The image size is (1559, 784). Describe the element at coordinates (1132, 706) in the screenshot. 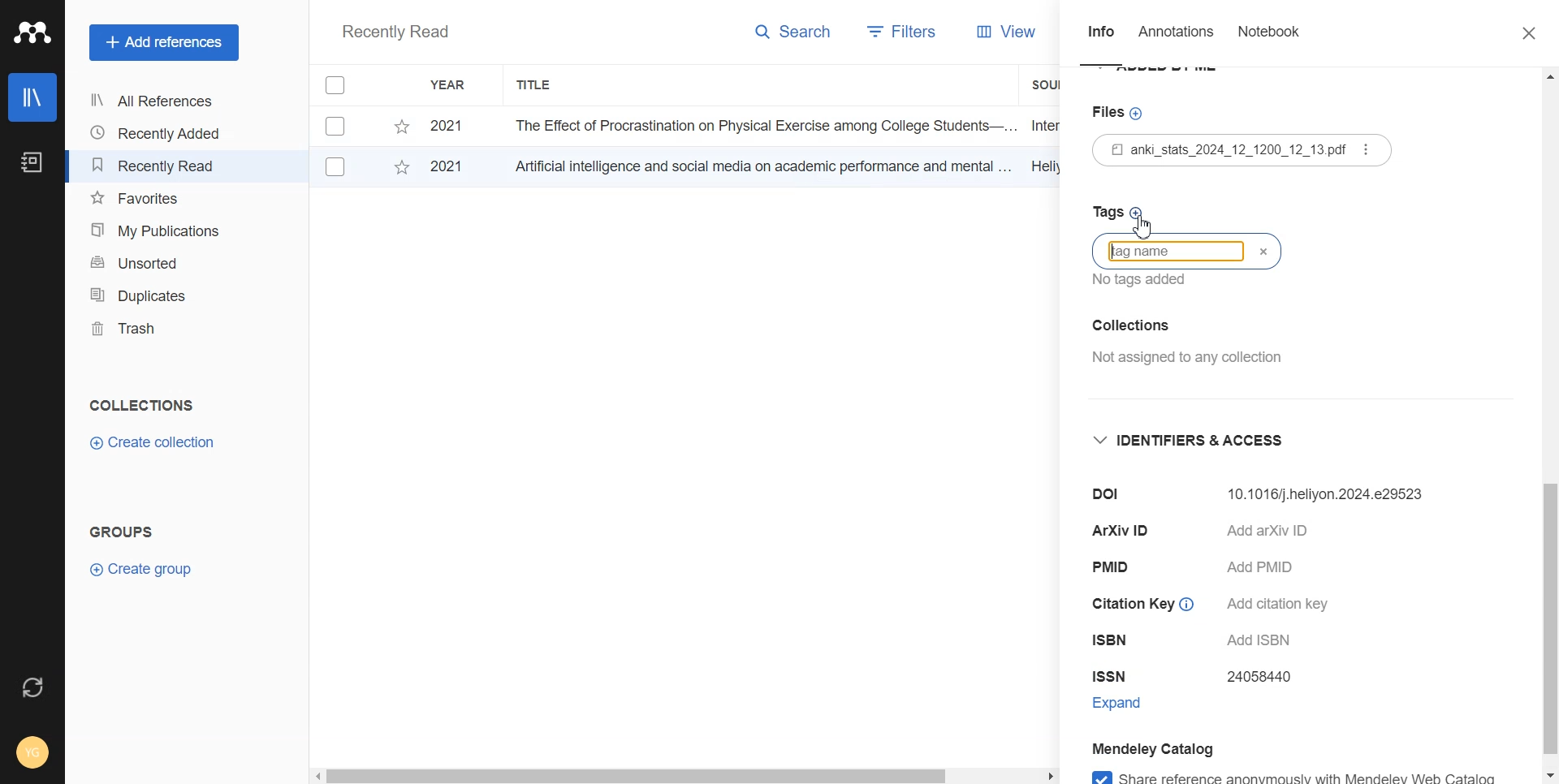

I see `Expand` at that location.